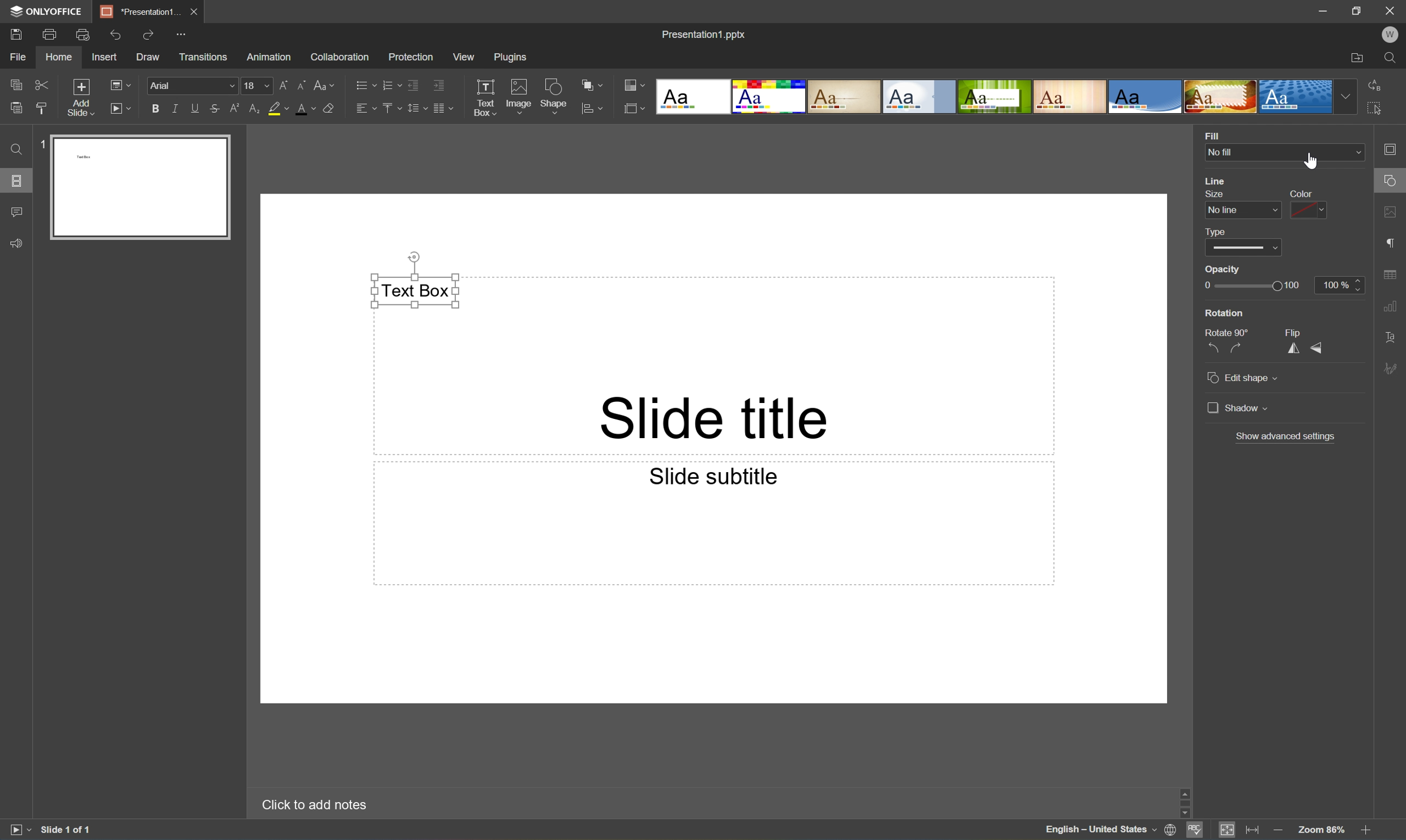  I want to click on ONLYOFFICE, so click(46, 12).